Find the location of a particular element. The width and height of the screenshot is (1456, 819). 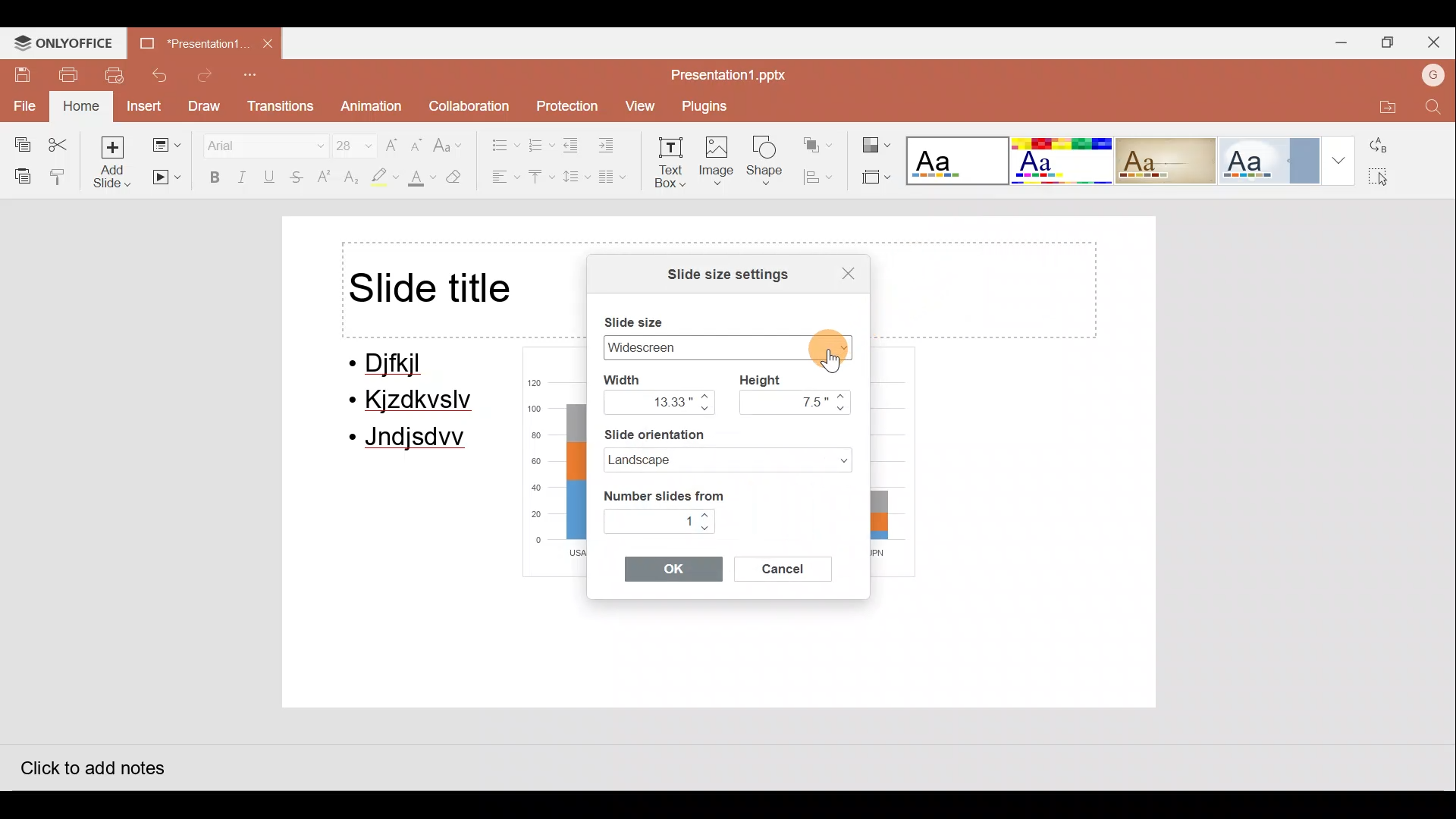

Save is located at coordinates (20, 73).